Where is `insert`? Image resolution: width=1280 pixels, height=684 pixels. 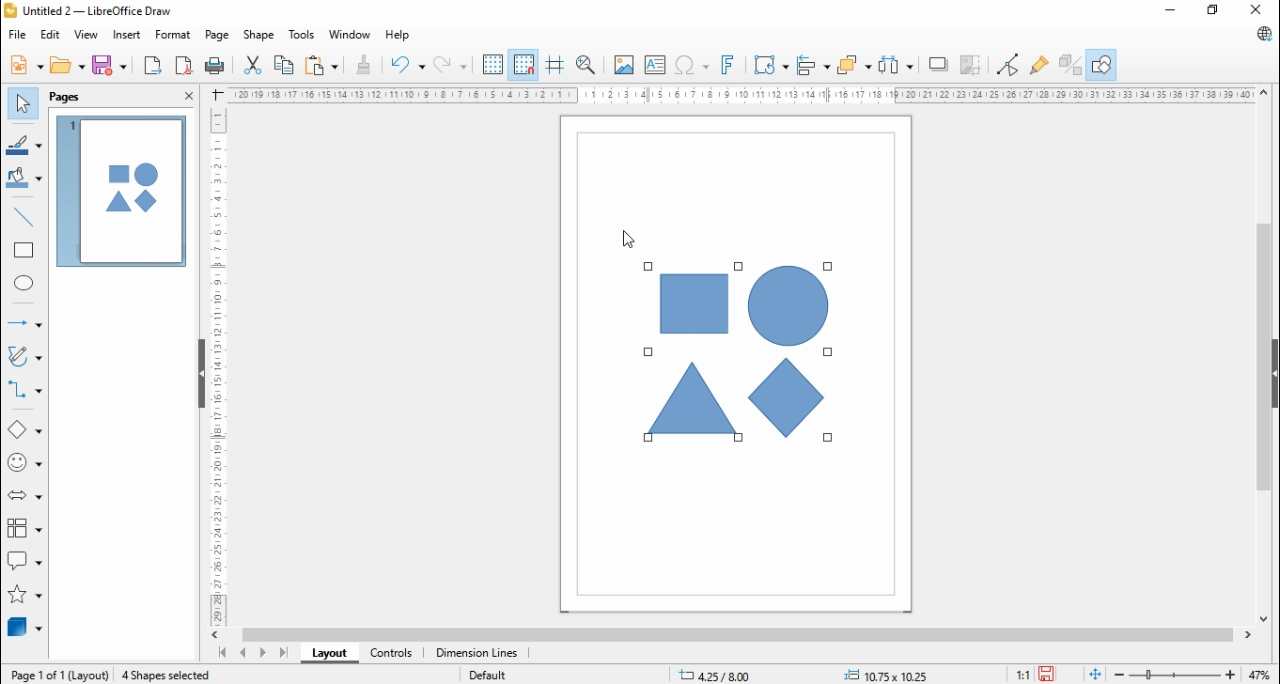 insert is located at coordinates (126, 35).